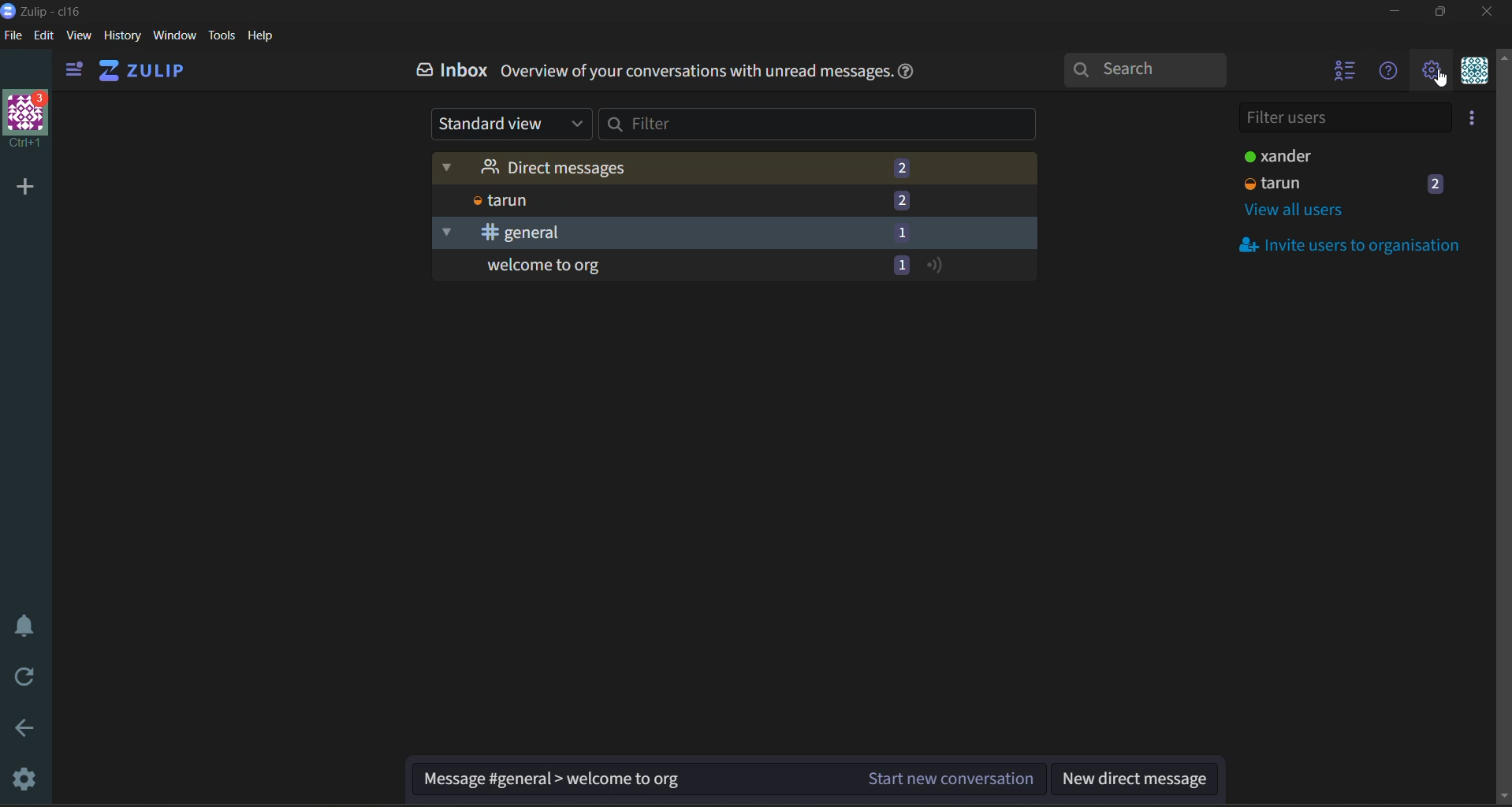  What do you see at coordinates (1335, 155) in the screenshot?
I see `xander` at bounding box center [1335, 155].